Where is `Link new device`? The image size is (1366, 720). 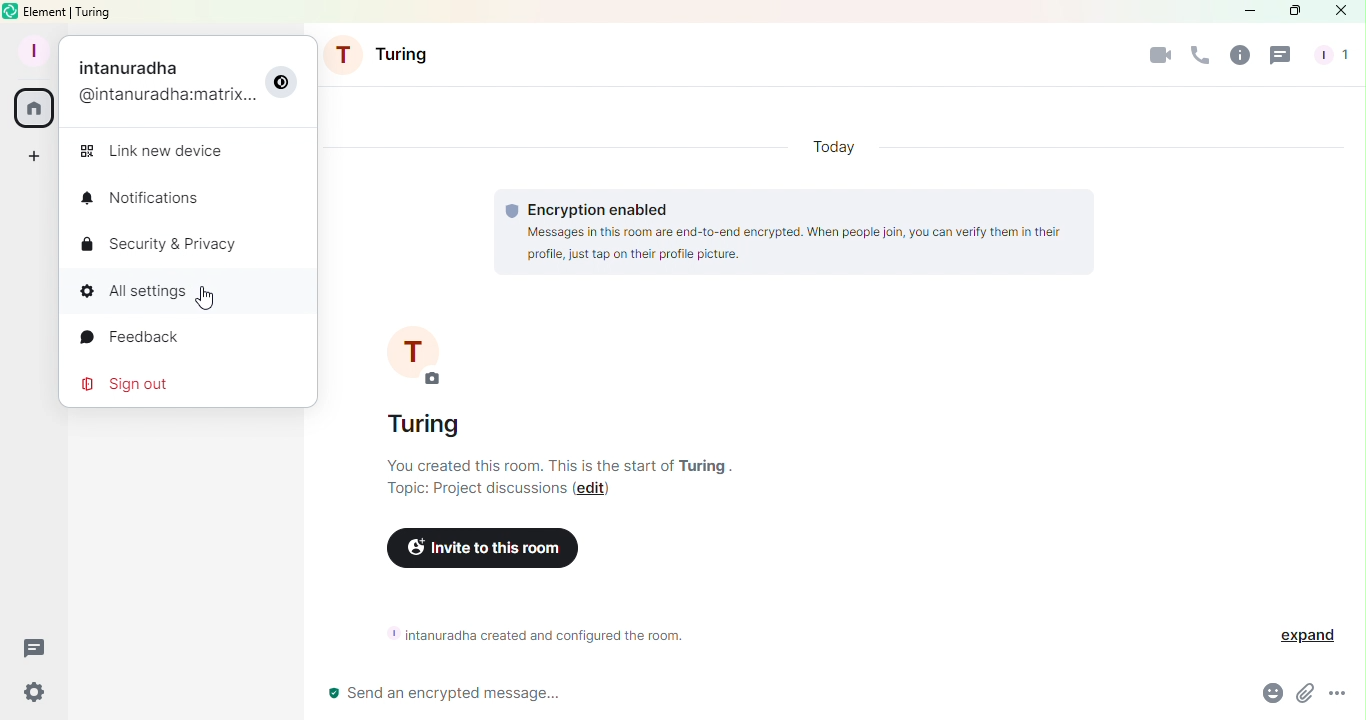
Link new device is located at coordinates (164, 154).